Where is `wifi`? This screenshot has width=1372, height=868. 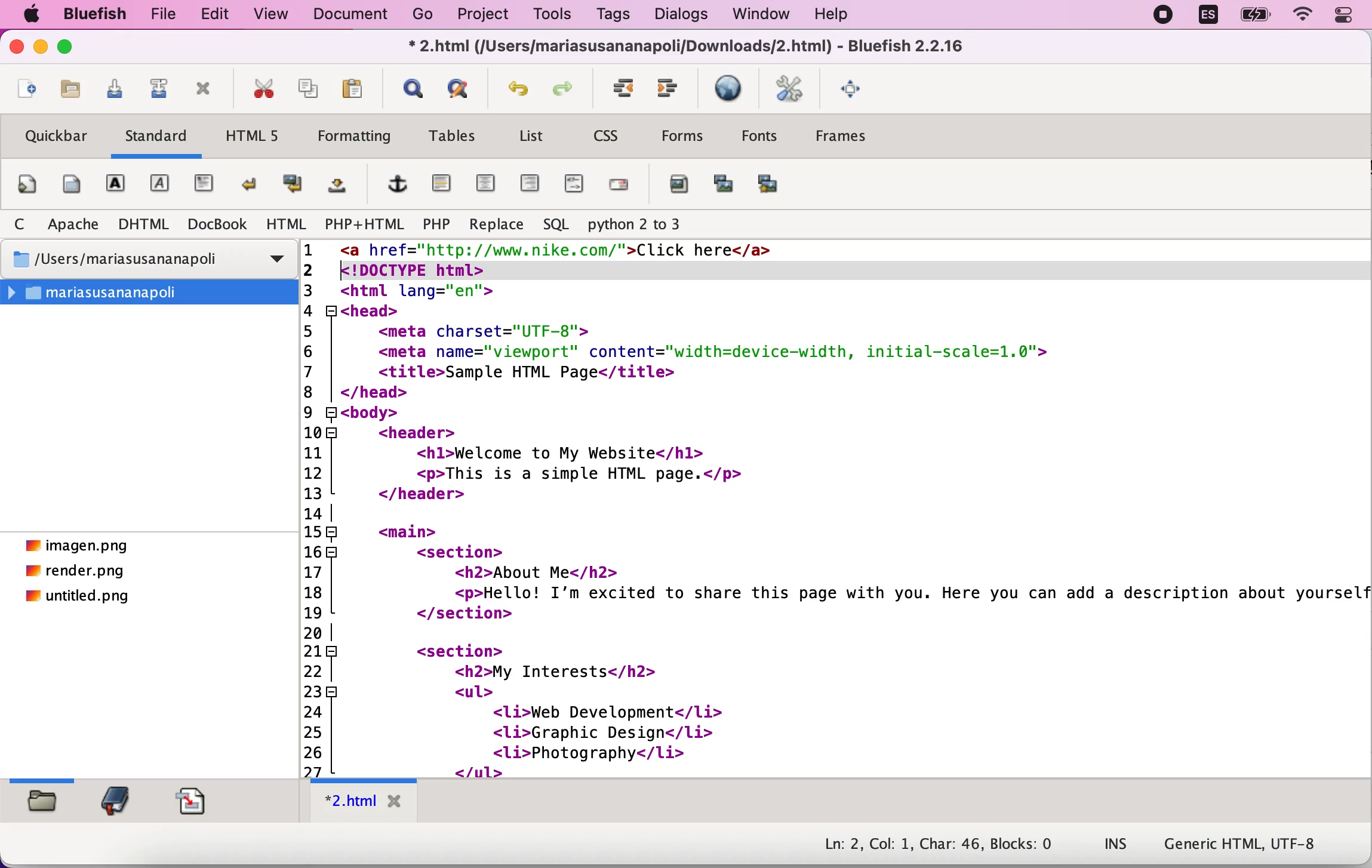 wifi is located at coordinates (1303, 17).